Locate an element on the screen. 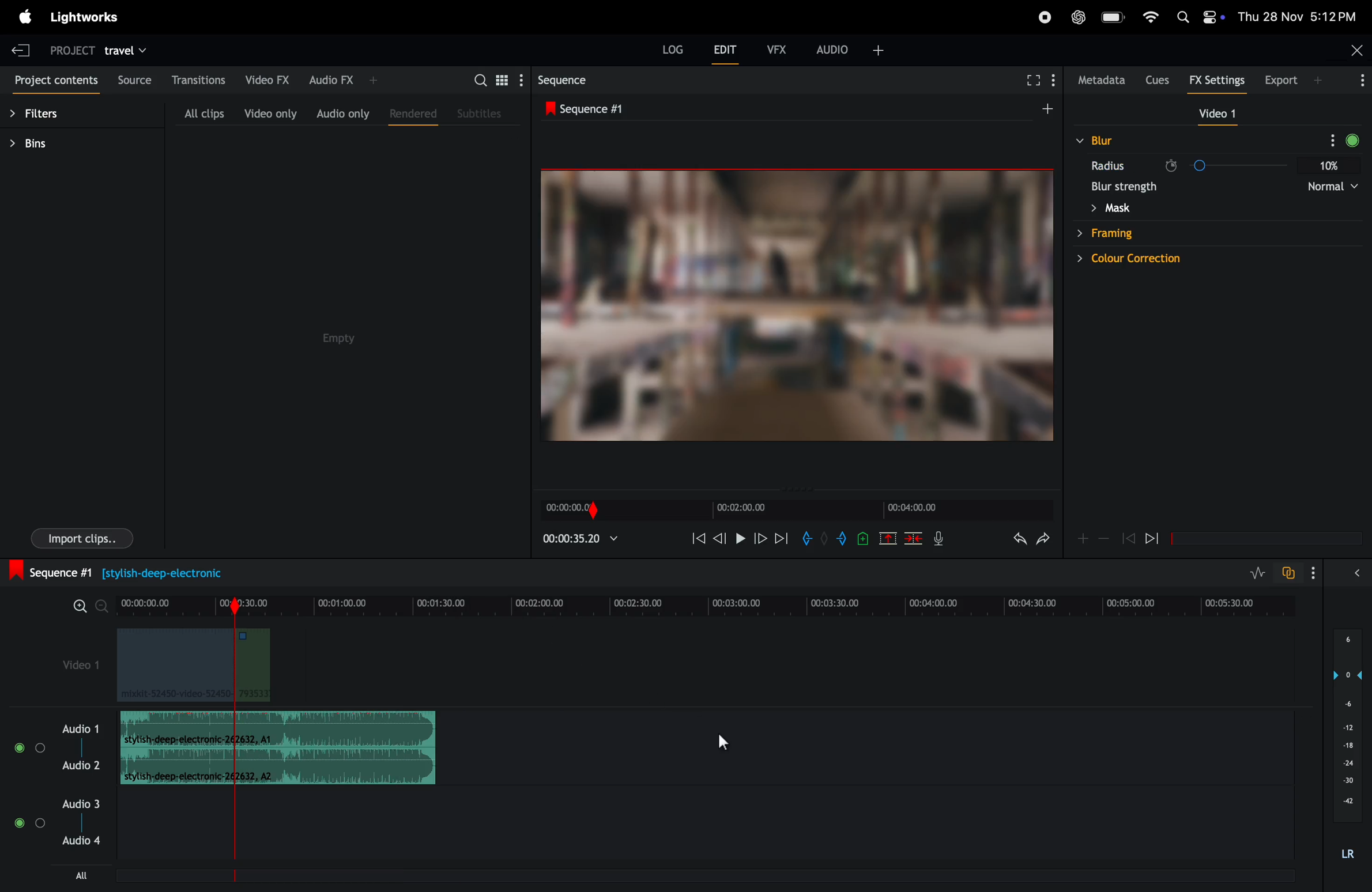 This screenshot has height=892, width=1372. sequence 1 is located at coordinates (664, 109).